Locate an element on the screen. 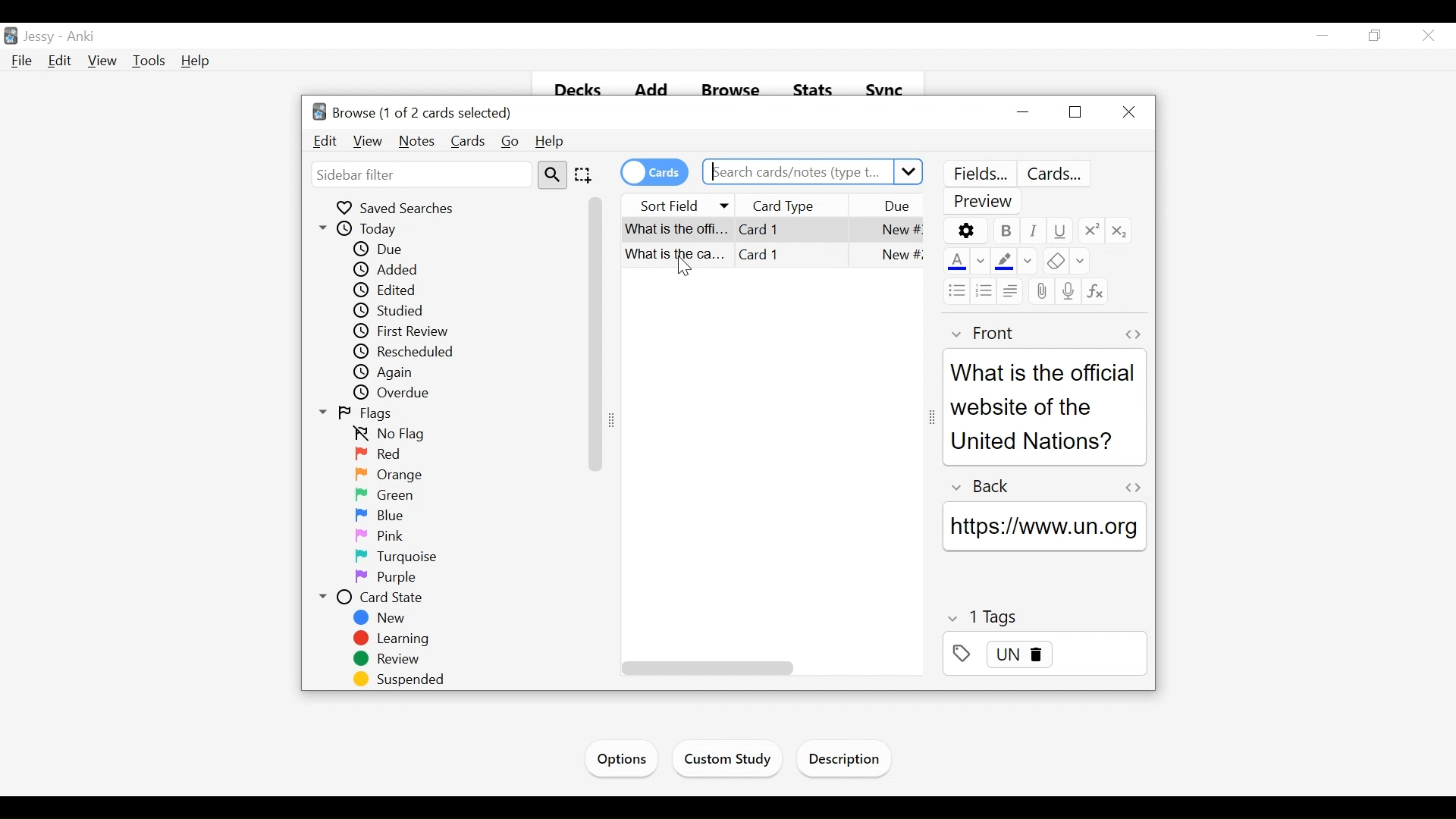 The width and height of the screenshot is (1456, 819). Stats is located at coordinates (811, 93).